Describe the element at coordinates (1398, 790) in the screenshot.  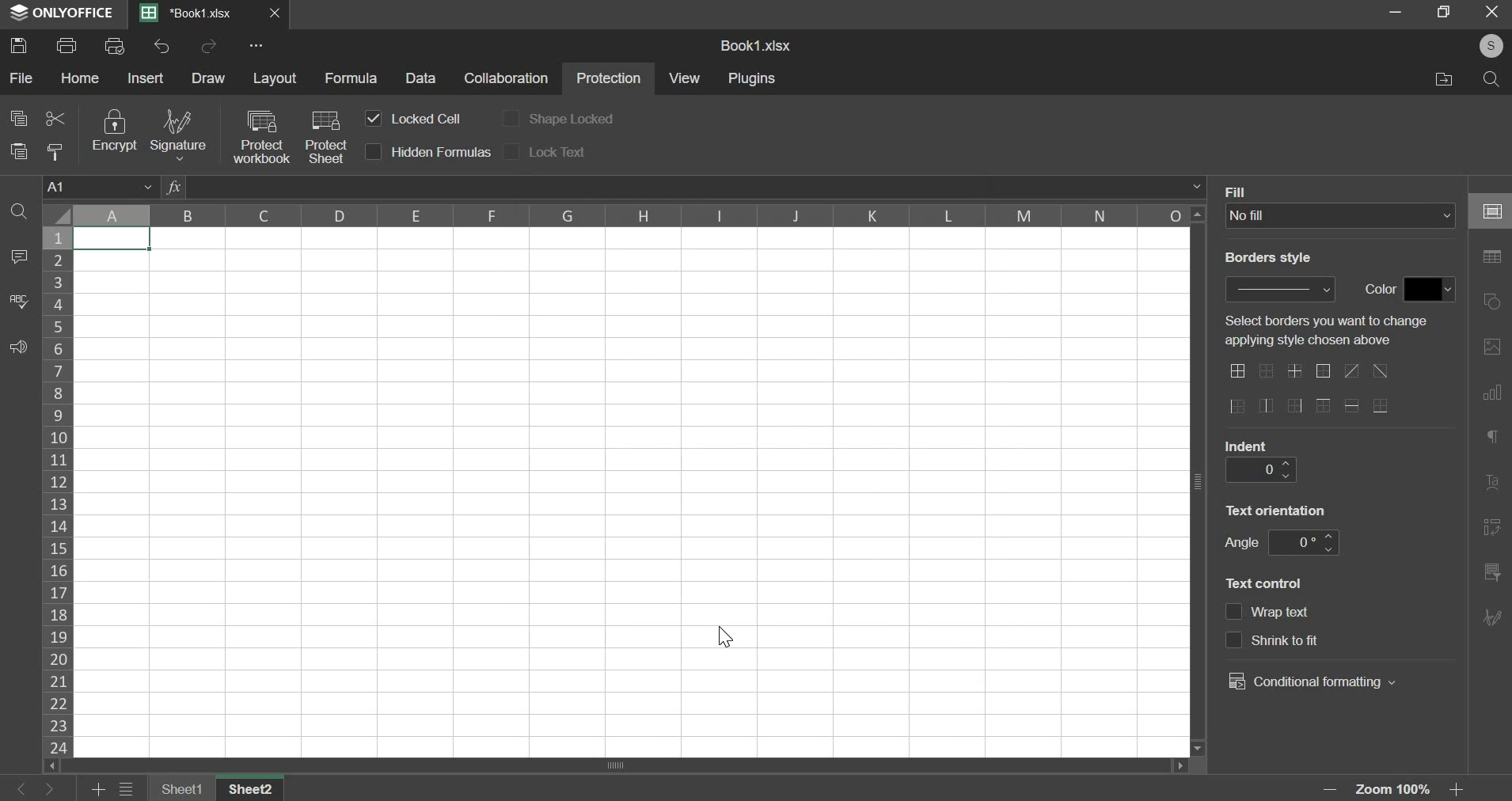
I see `Zoom 100%` at that location.